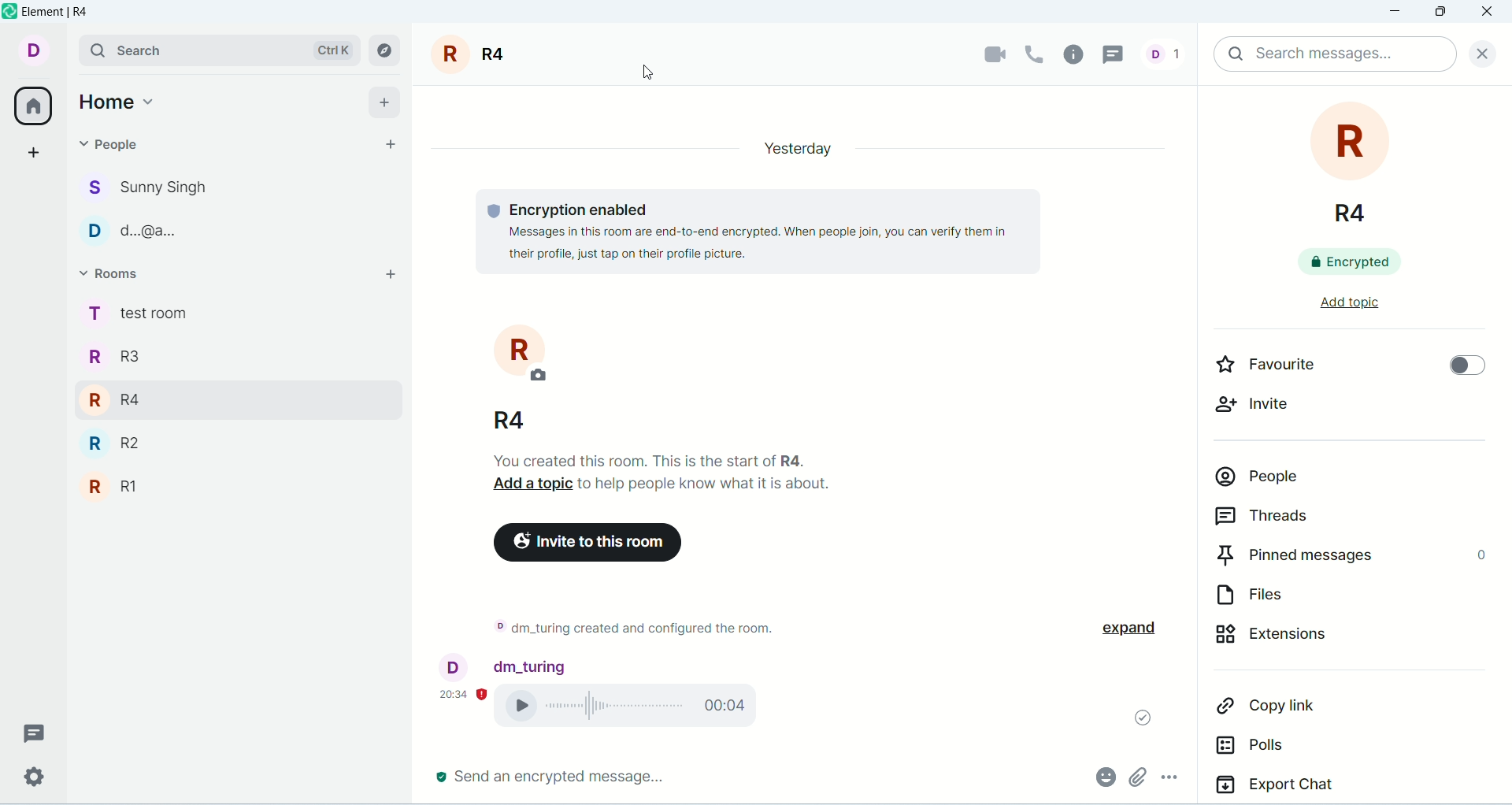 Image resolution: width=1512 pixels, height=805 pixels. What do you see at coordinates (1036, 53) in the screenshot?
I see `voice call` at bounding box center [1036, 53].